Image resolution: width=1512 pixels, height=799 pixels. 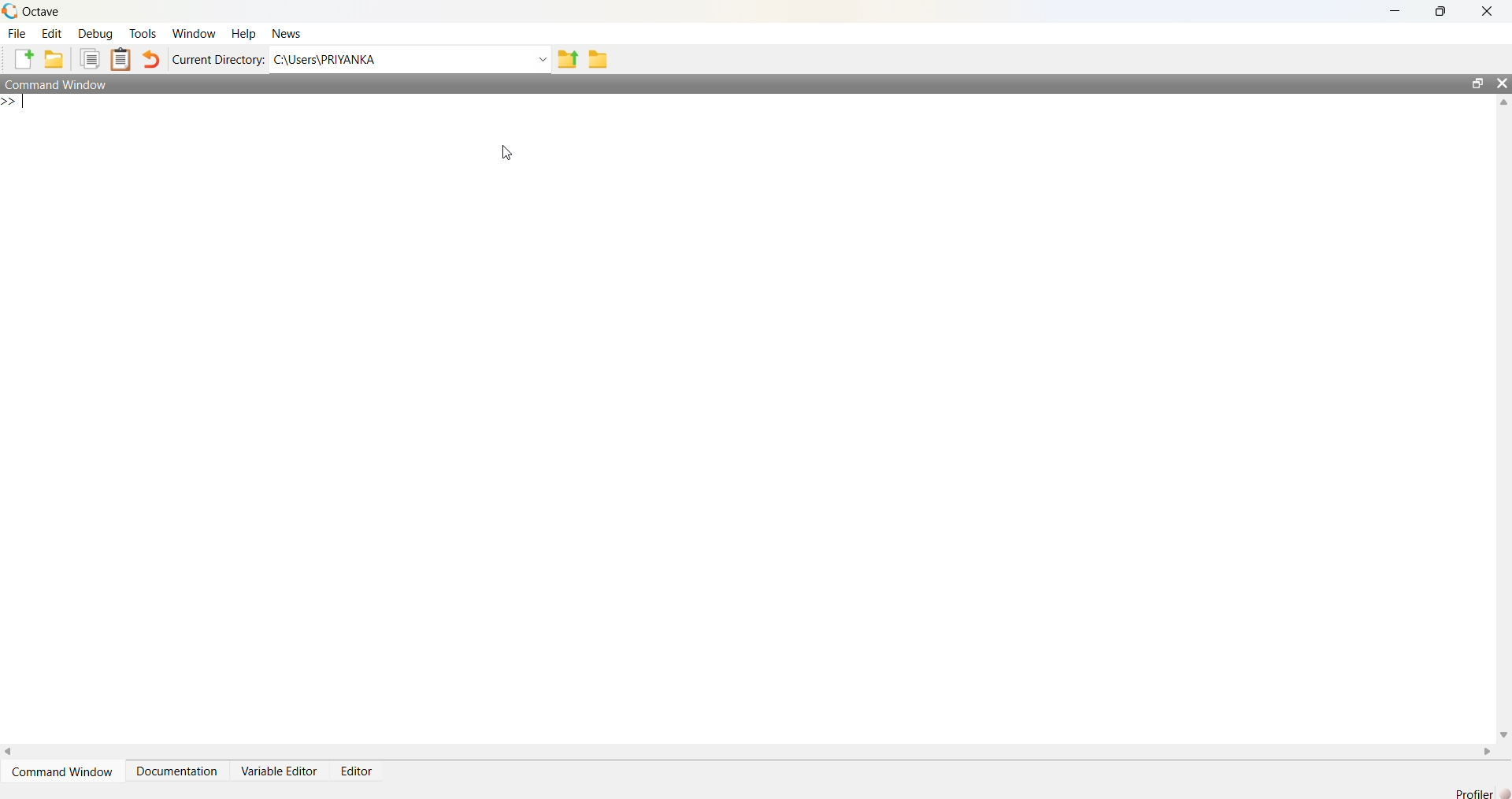 What do you see at coordinates (1473, 83) in the screenshot?
I see `Maximize/Restore` at bounding box center [1473, 83].